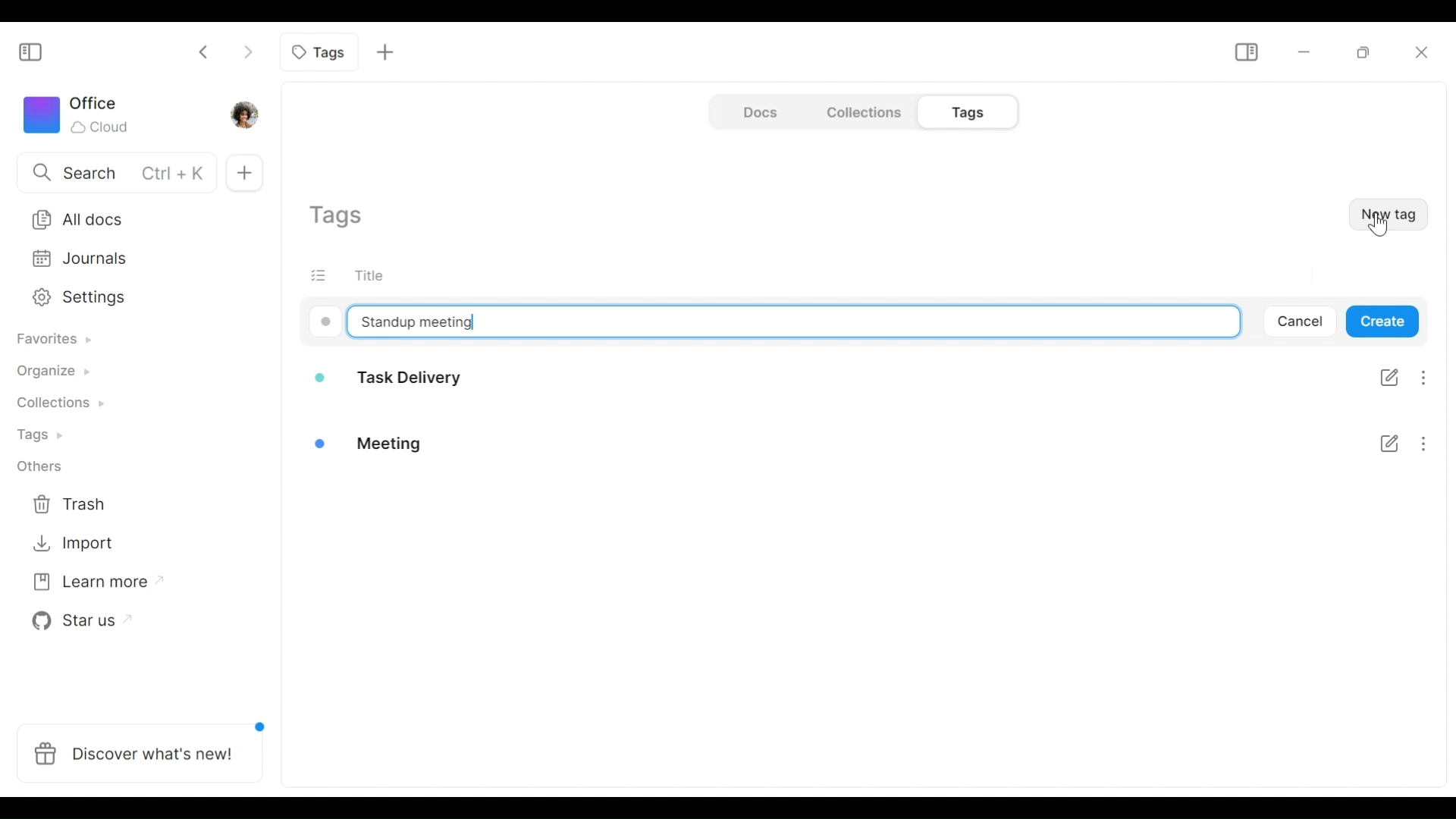  Describe the element at coordinates (380, 275) in the screenshot. I see `Title` at that location.